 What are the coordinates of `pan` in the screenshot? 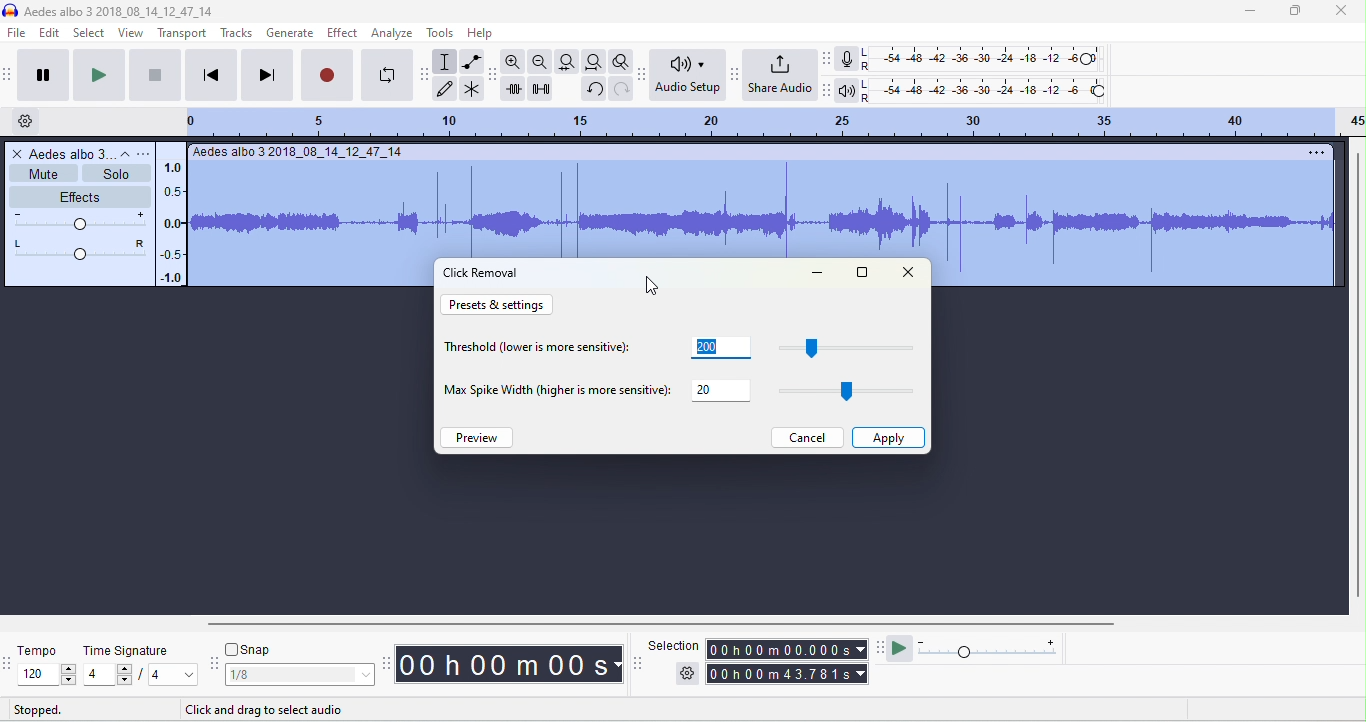 It's located at (75, 249).